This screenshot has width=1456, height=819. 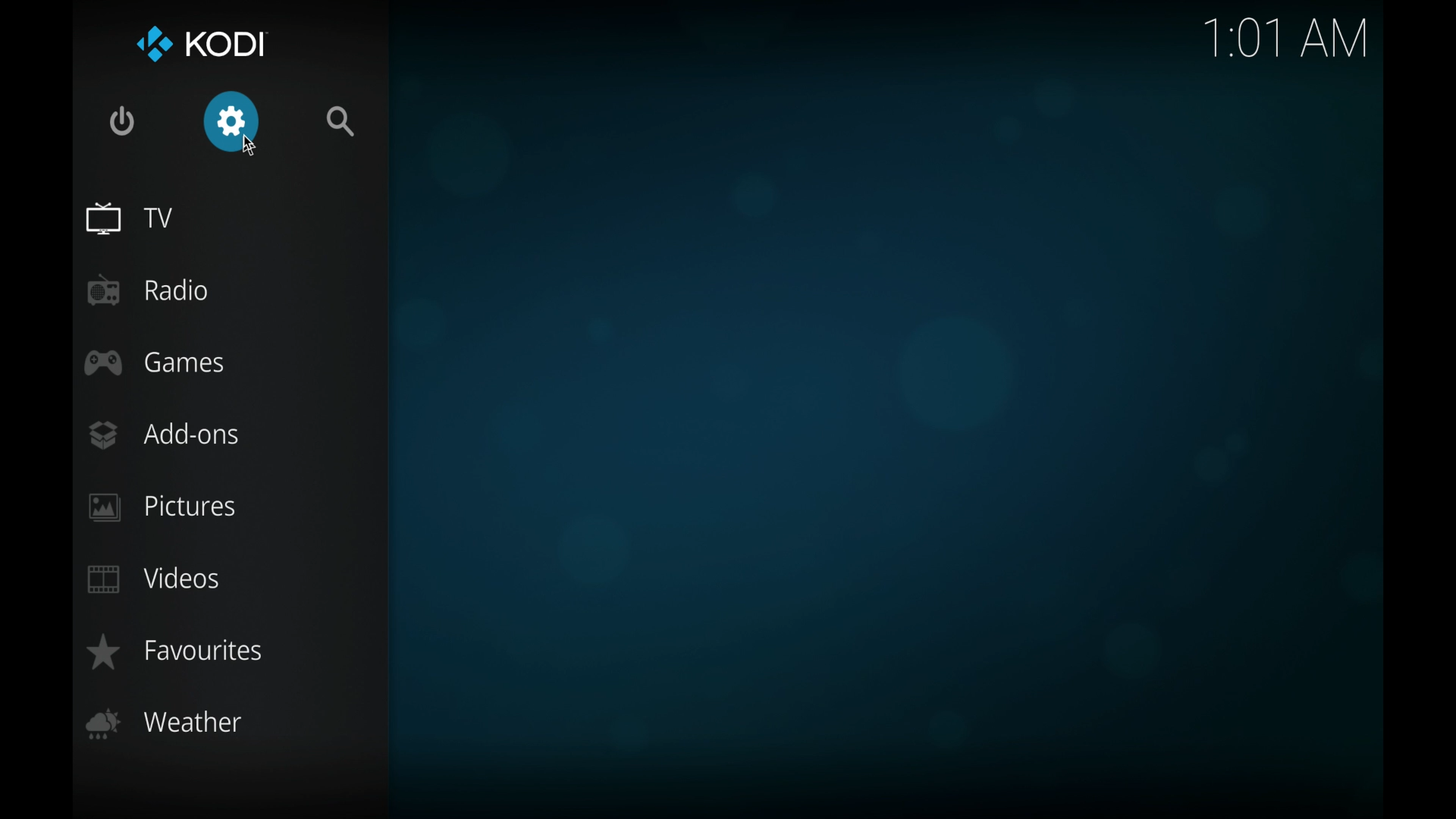 What do you see at coordinates (173, 651) in the screenshot?
I see `favorites` at bounding box center [173, 651].